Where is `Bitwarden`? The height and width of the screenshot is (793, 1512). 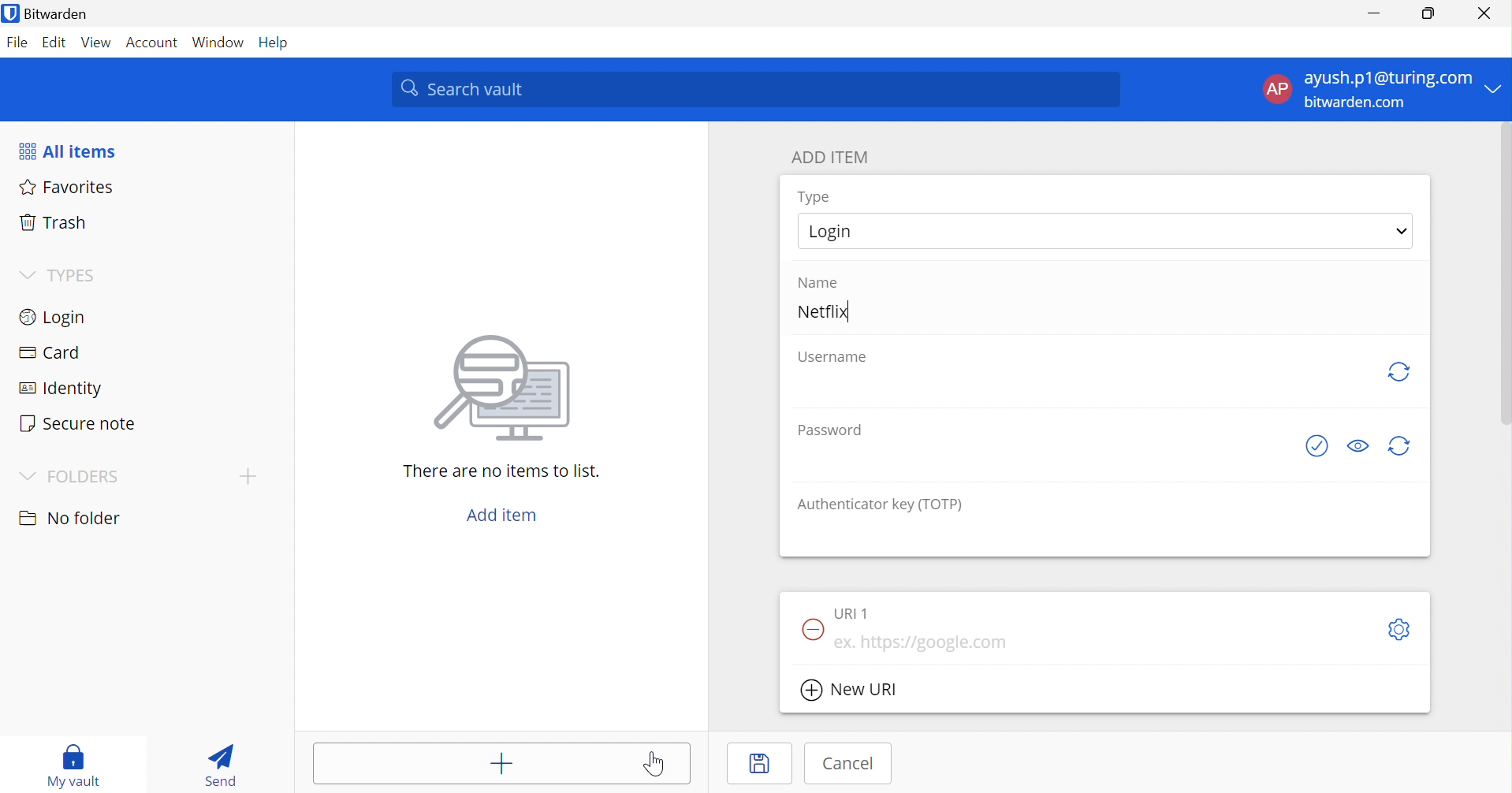 Bitwarden is located at coordinates (46, 13).